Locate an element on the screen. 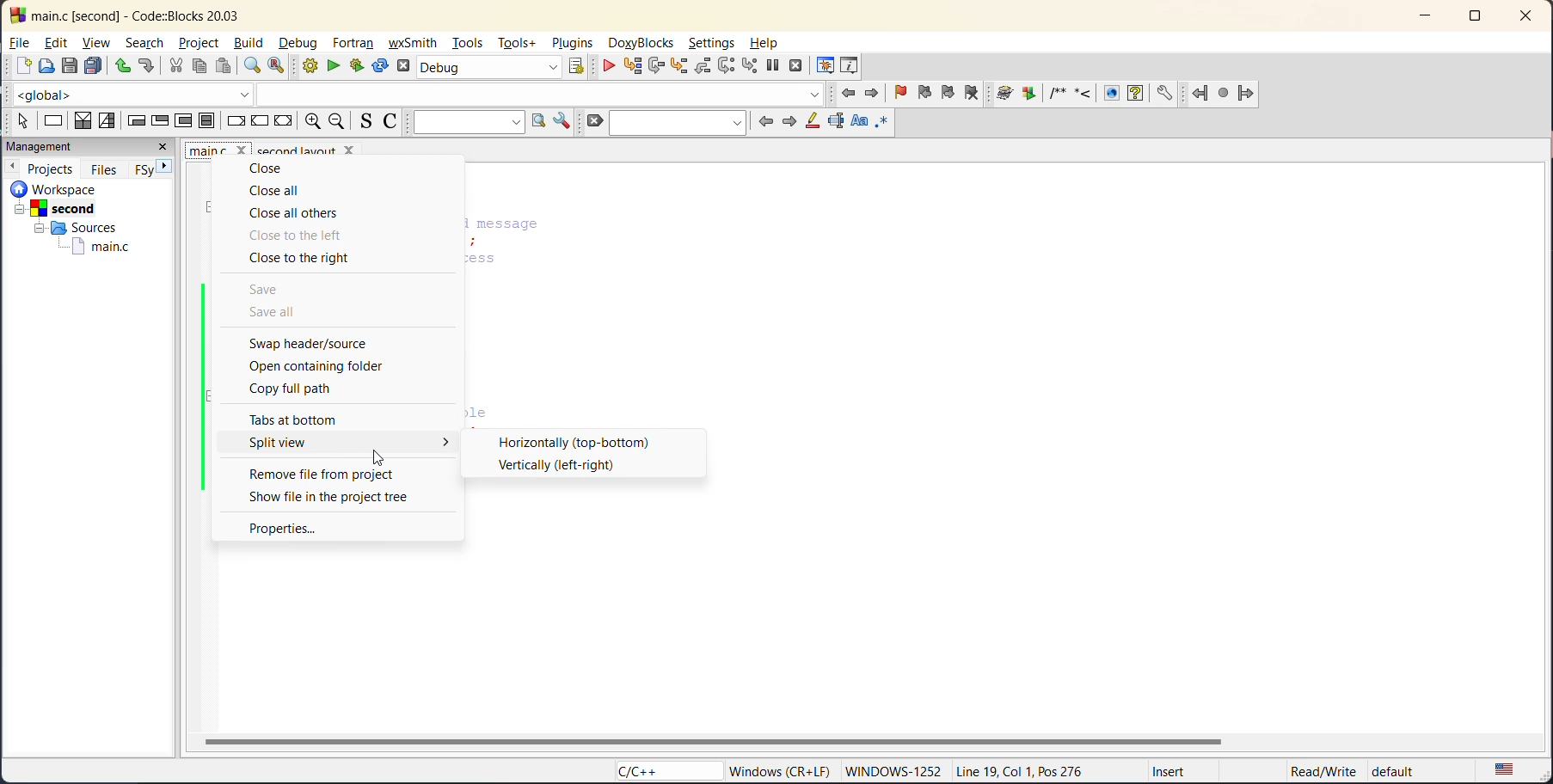  open containing folder is located at coordinates (315, 367).